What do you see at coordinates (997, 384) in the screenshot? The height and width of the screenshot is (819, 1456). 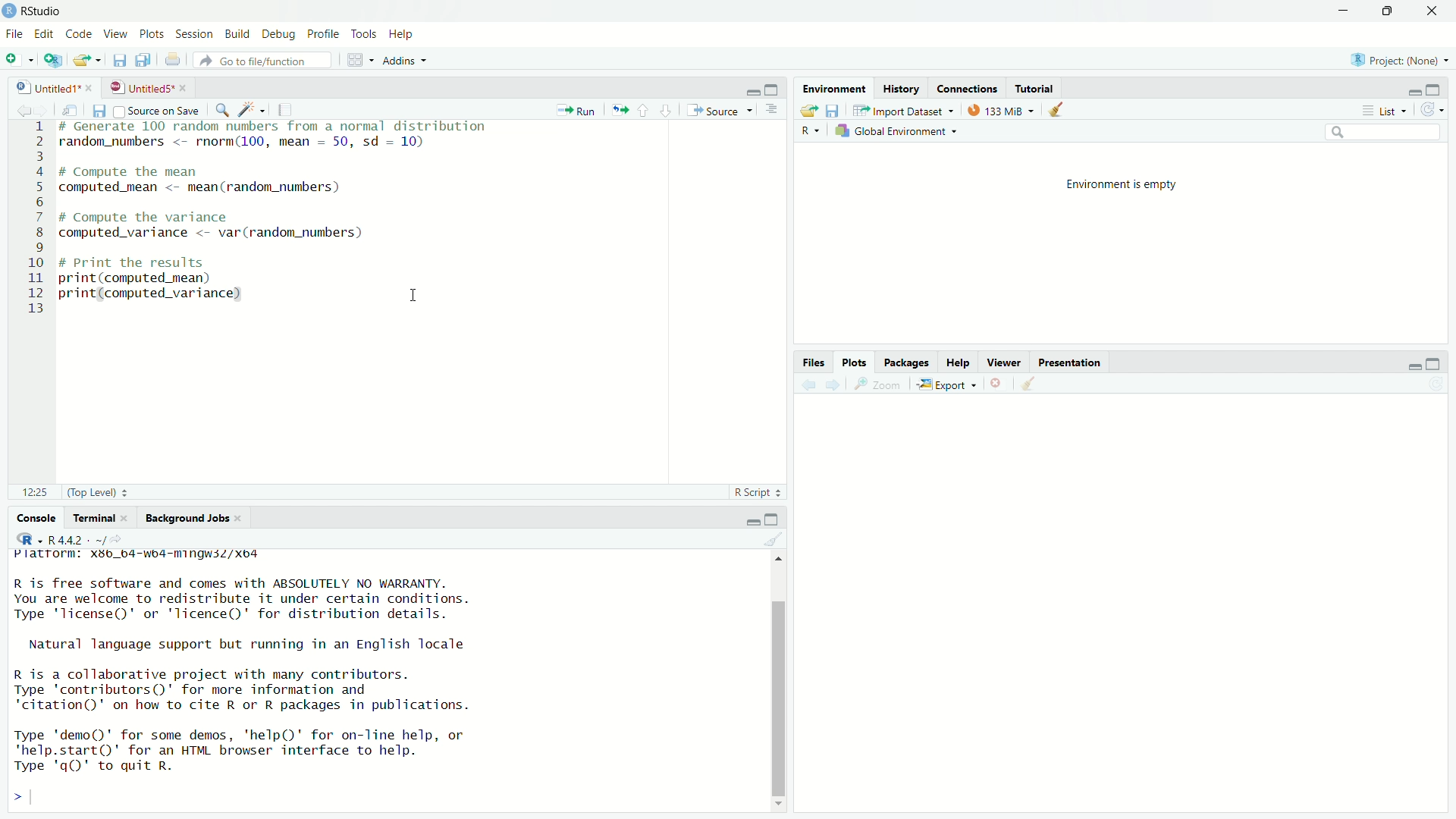 I see `remove the current plot` at bounding box center [997, 384].